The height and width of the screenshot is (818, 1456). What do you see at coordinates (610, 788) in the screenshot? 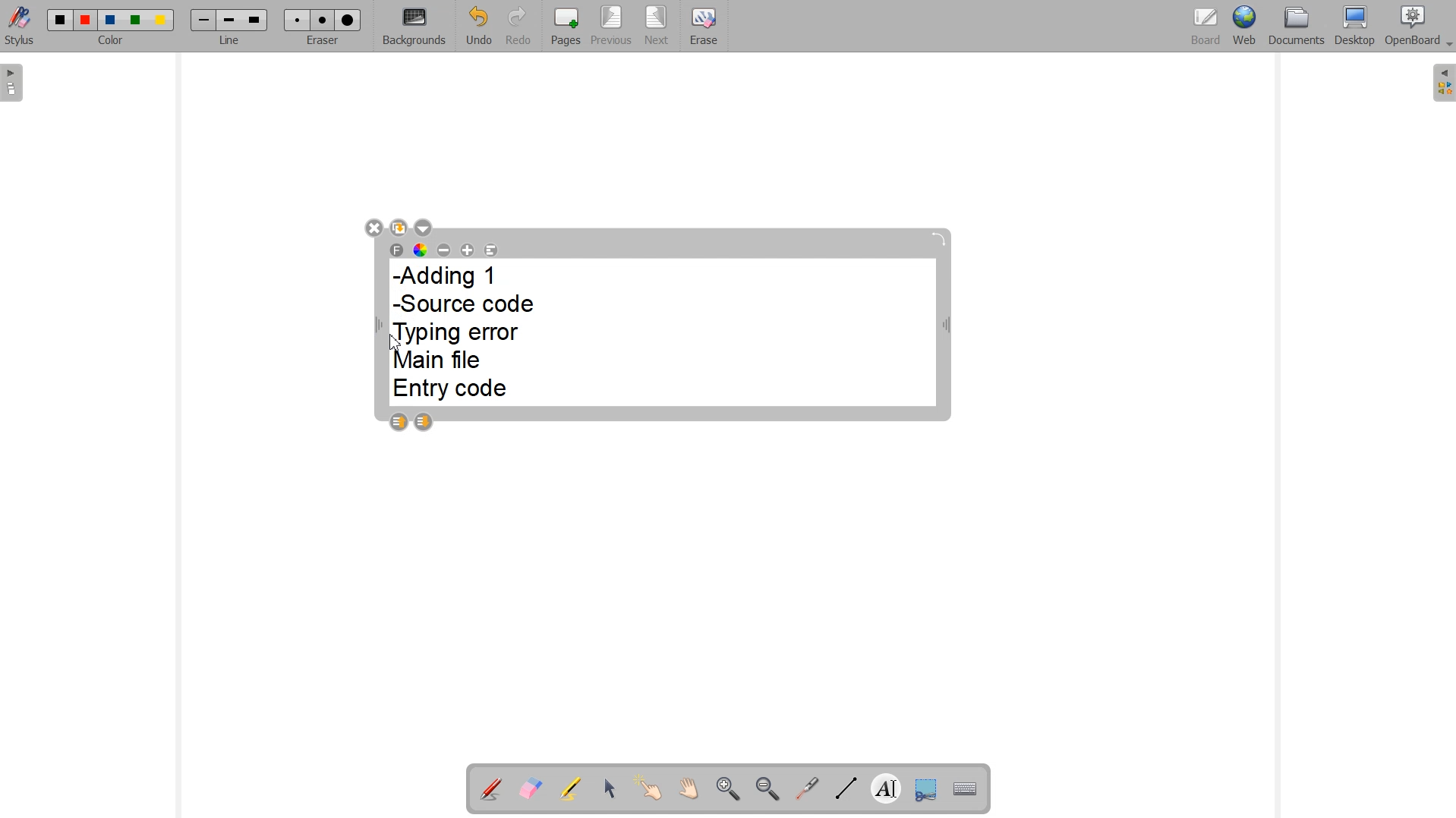
I see `Select and modify objects` at bounding box center [610, 788].